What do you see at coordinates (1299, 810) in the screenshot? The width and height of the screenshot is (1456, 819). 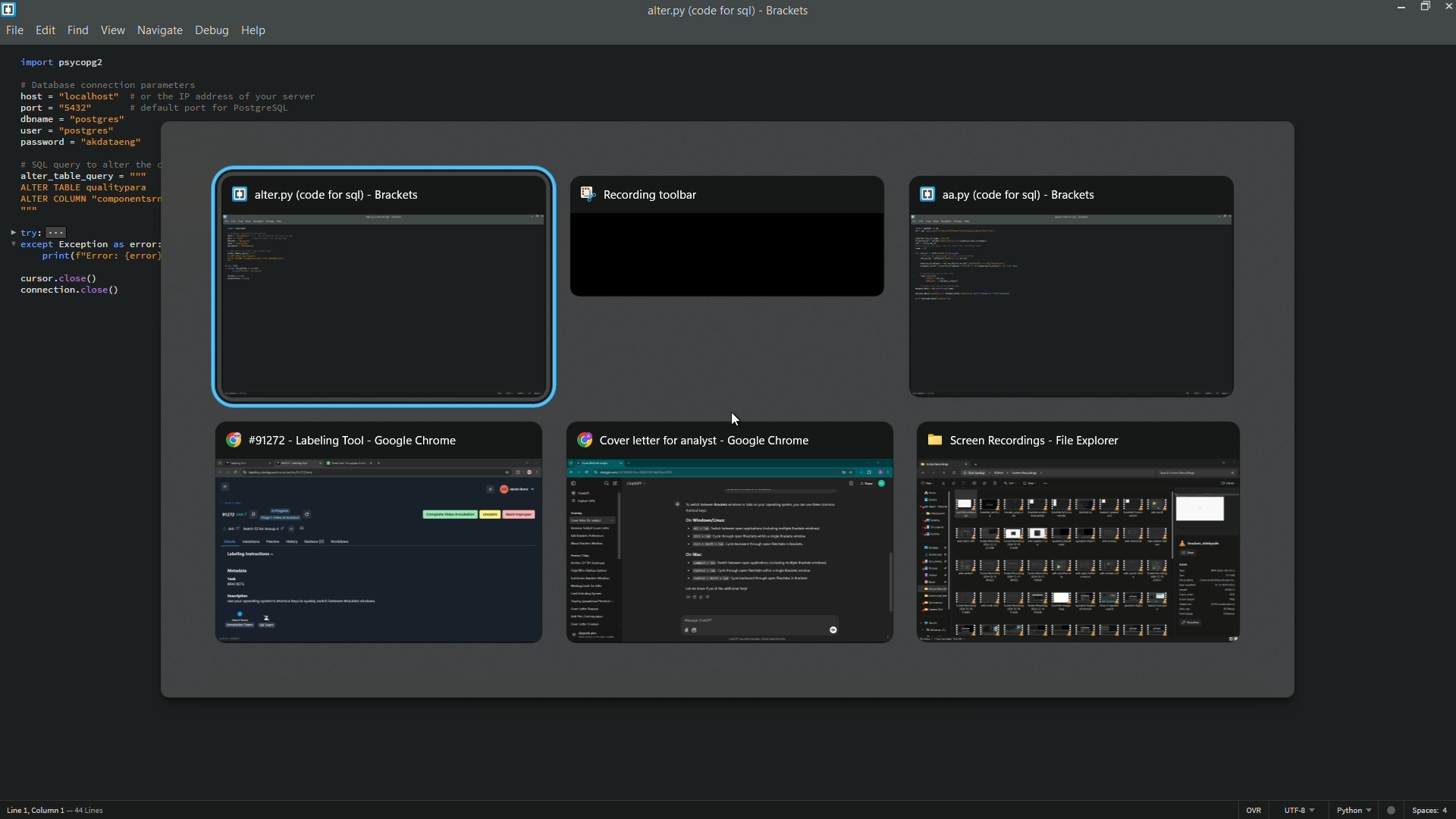 I see `UTF 8` at bounding box center [1299, 810].